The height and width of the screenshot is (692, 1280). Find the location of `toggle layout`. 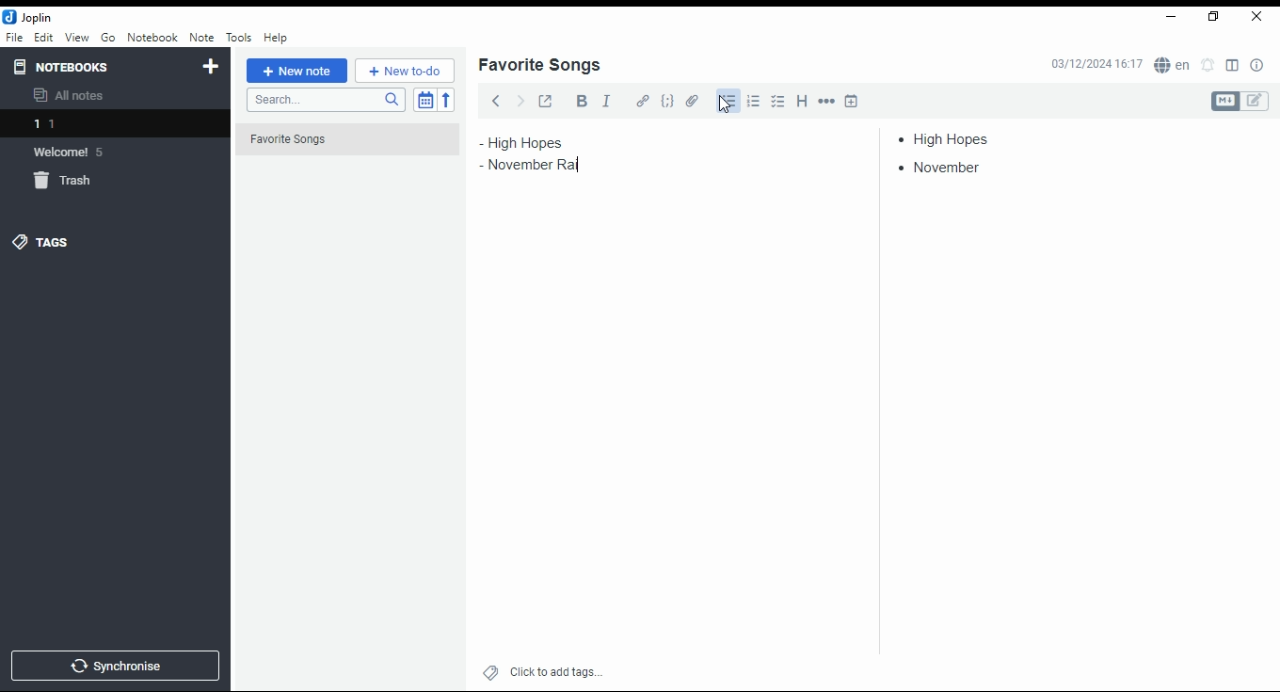

toggle layout is located at coordinates (1233, 66).